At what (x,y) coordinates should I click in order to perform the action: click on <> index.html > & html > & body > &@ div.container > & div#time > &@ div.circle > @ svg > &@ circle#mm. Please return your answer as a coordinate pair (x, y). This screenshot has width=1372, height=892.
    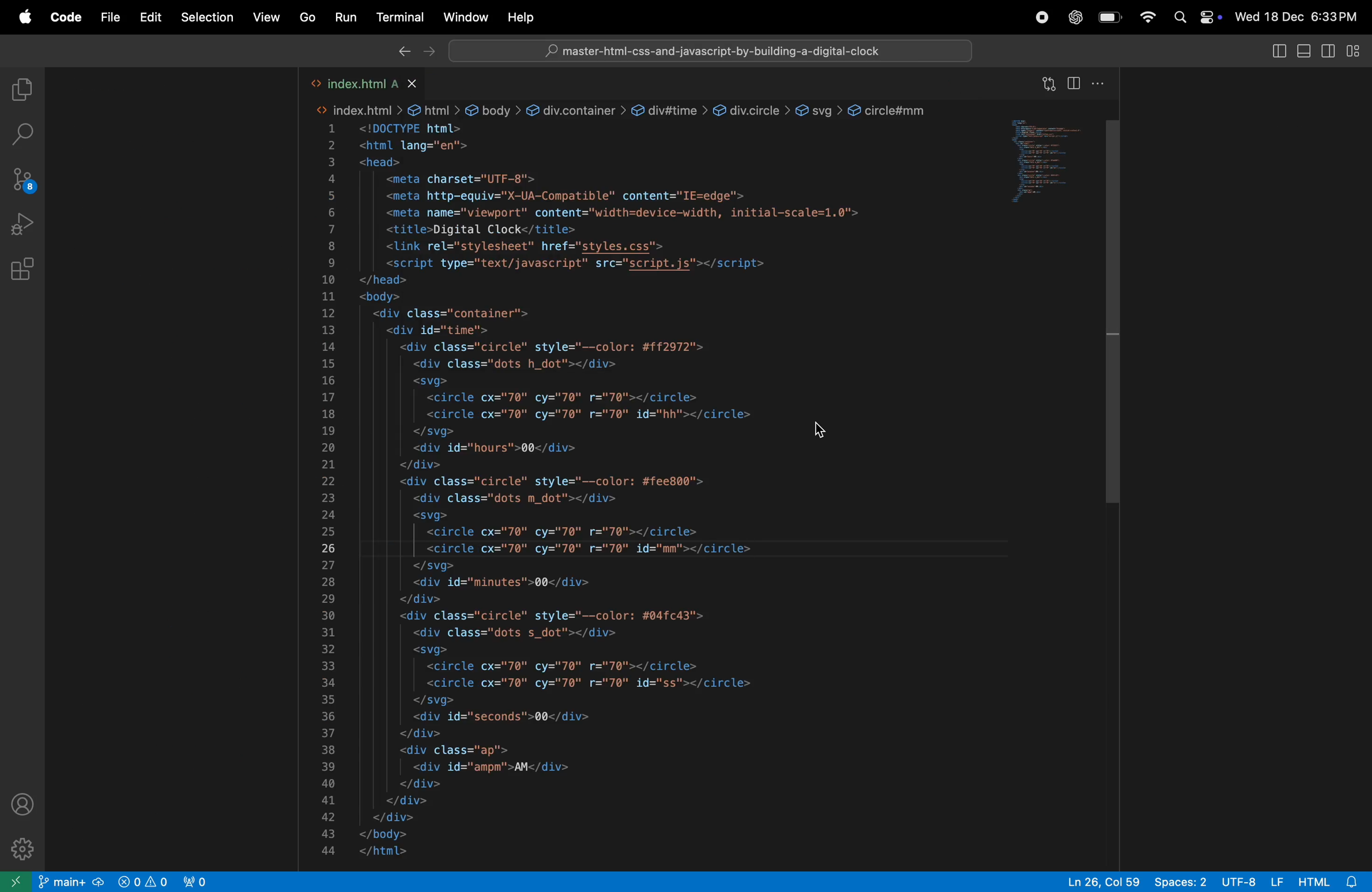
    Looking at the image, I should click on (620, 107).